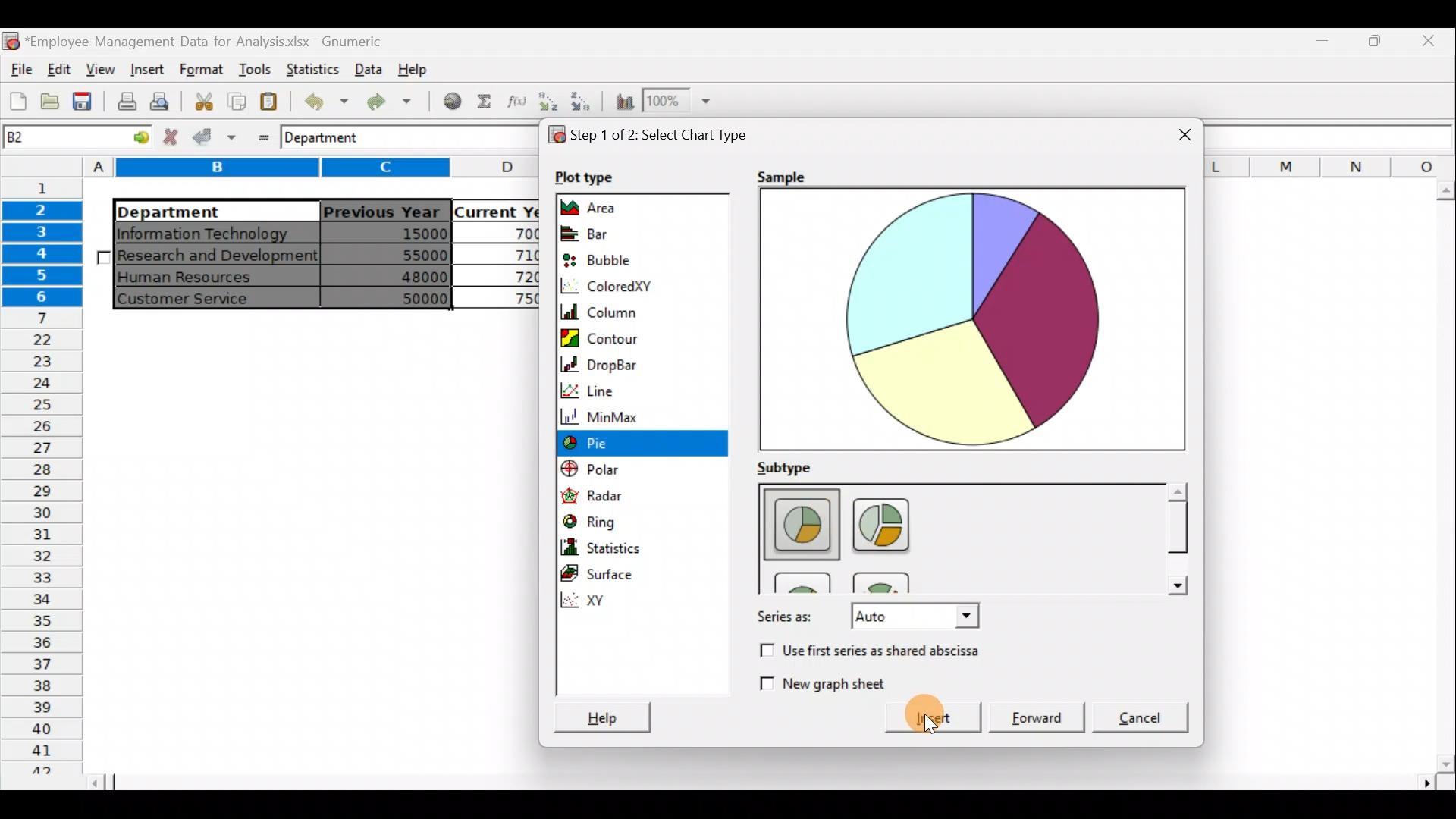 The width and height of the screenshot is (1456, 819). Describe the element at coordinates (251, 68) in the screenshot. I see `Tools` at that location.